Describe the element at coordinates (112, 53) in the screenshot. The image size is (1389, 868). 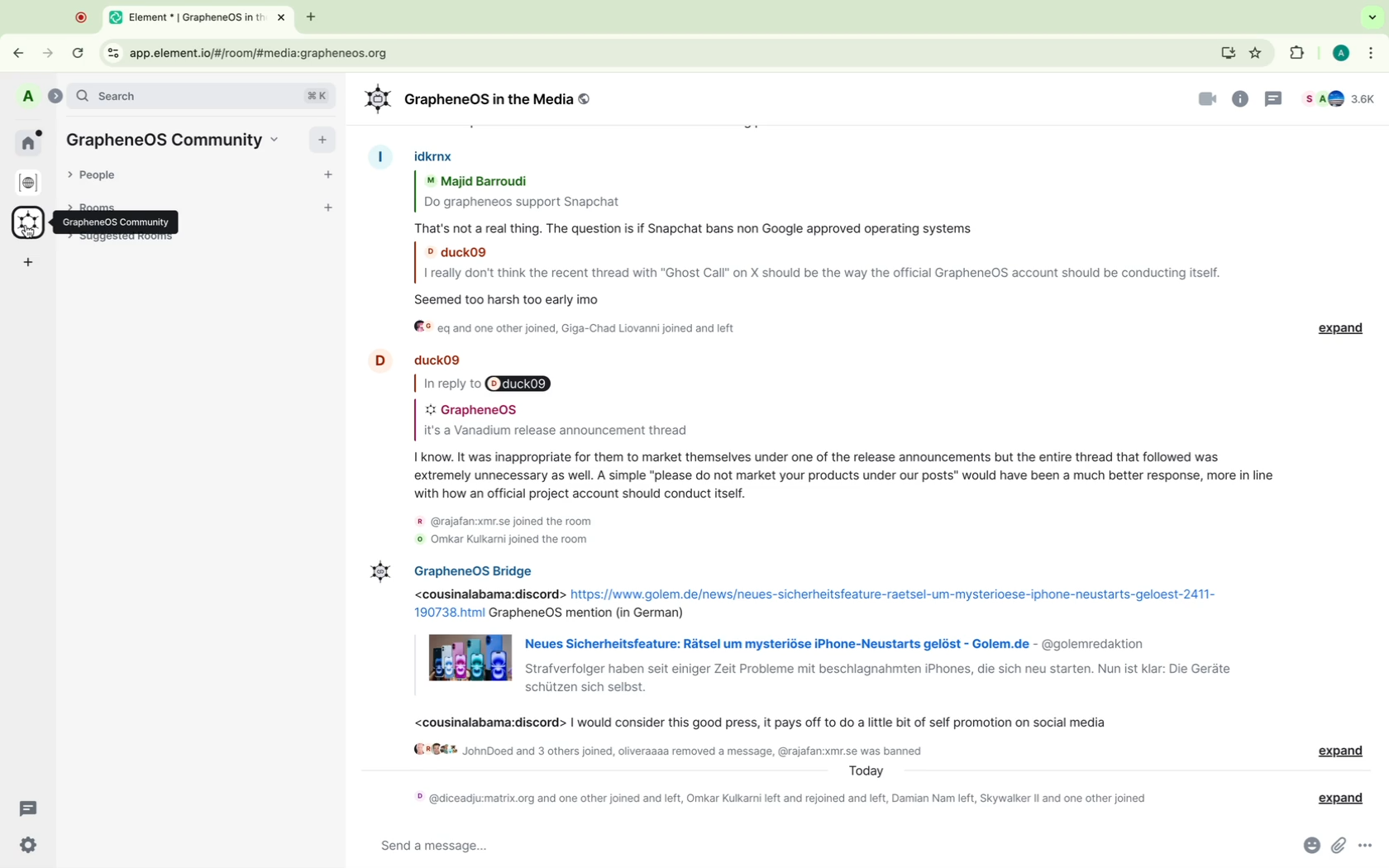
I see `view site information` at that location.